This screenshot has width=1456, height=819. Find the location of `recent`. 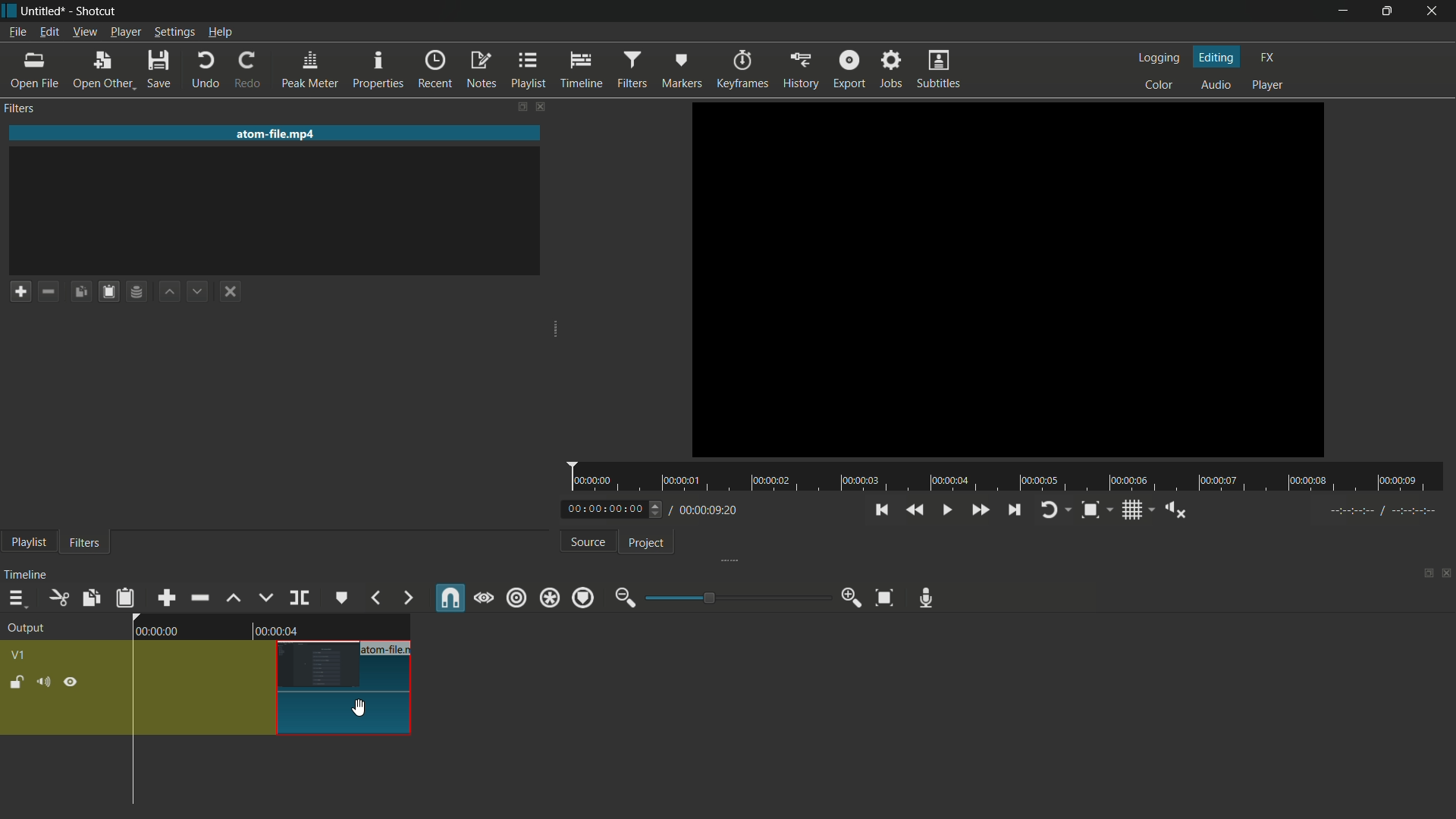

recent is located at coordinates (431, 69).